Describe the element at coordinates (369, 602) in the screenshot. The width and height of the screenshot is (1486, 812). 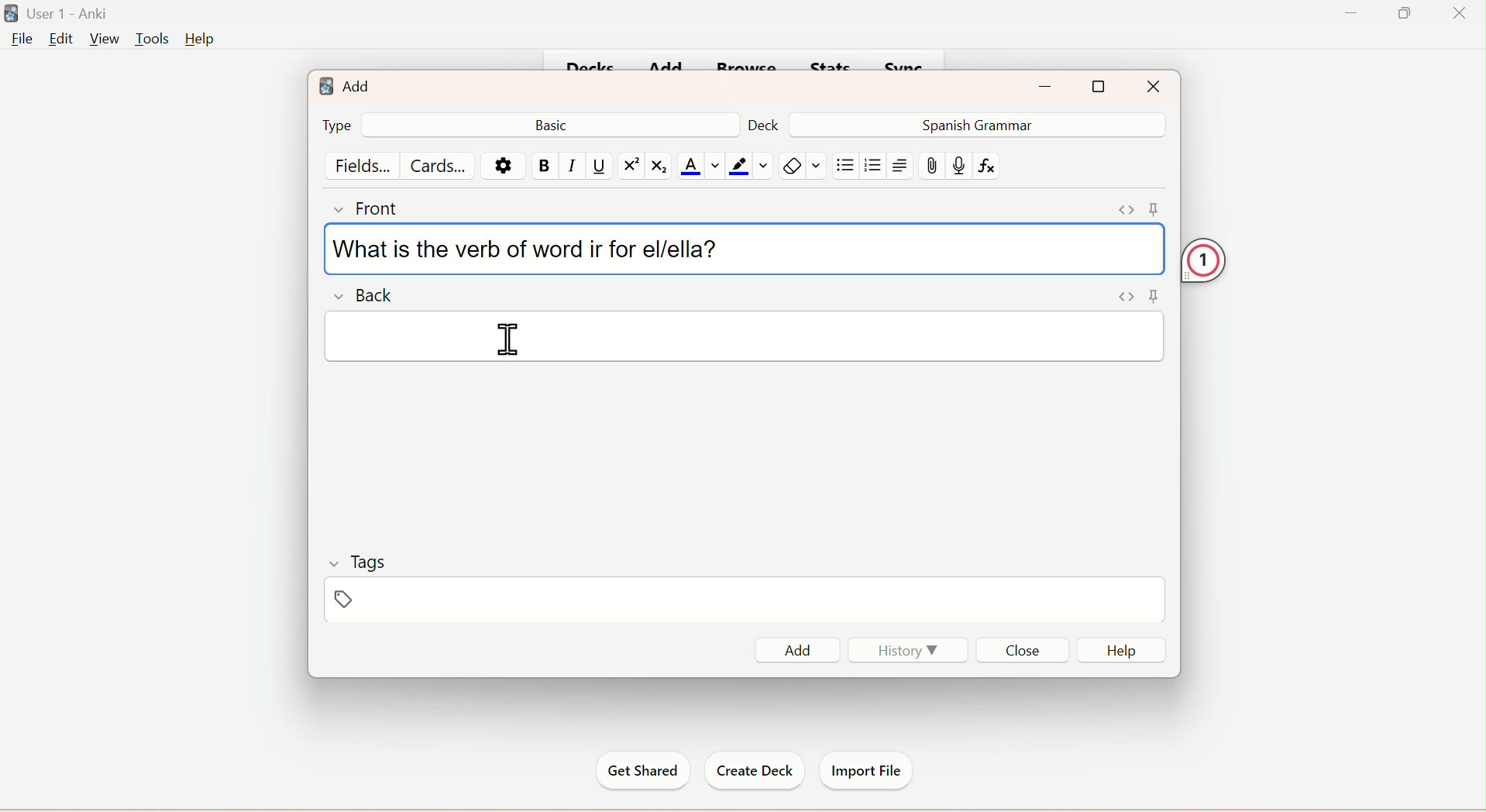
I see `Tags` at that location.